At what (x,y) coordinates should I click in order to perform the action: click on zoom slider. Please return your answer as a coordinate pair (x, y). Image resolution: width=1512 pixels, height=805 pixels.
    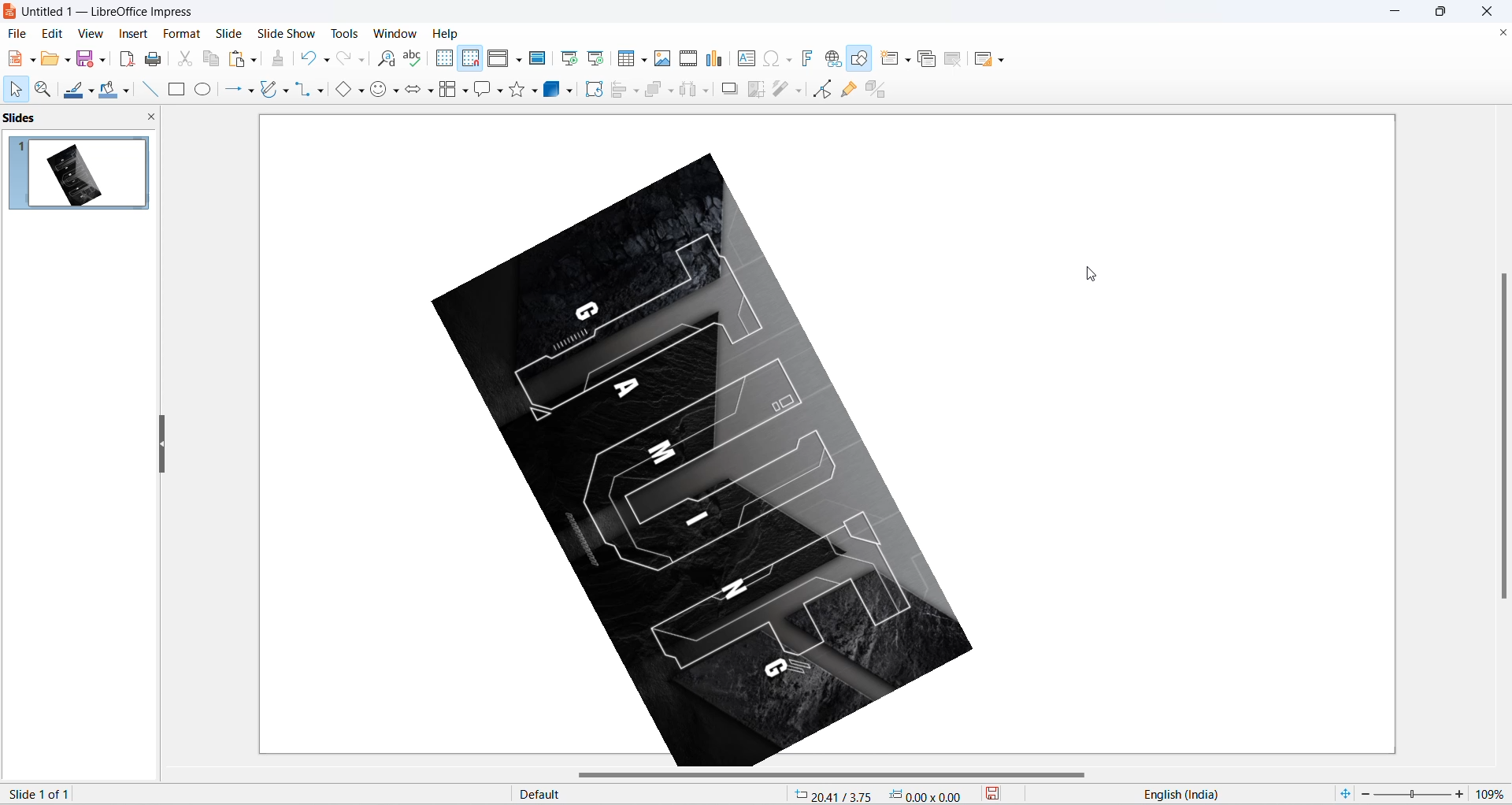
    Looking at the image, I should click on (1411, 795).